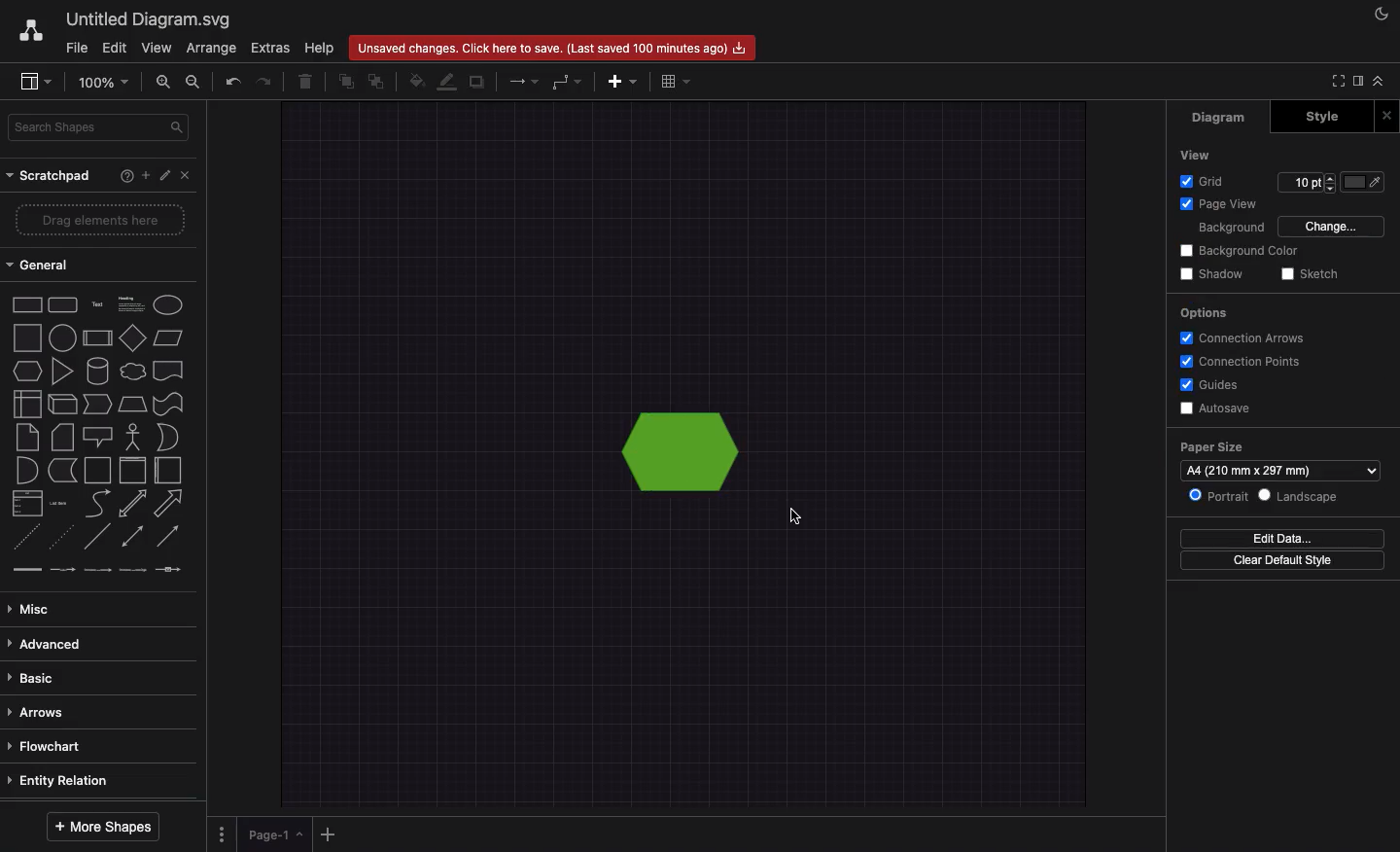 The image size is (1400, 852). I want to click on Page, so click(275, 835).